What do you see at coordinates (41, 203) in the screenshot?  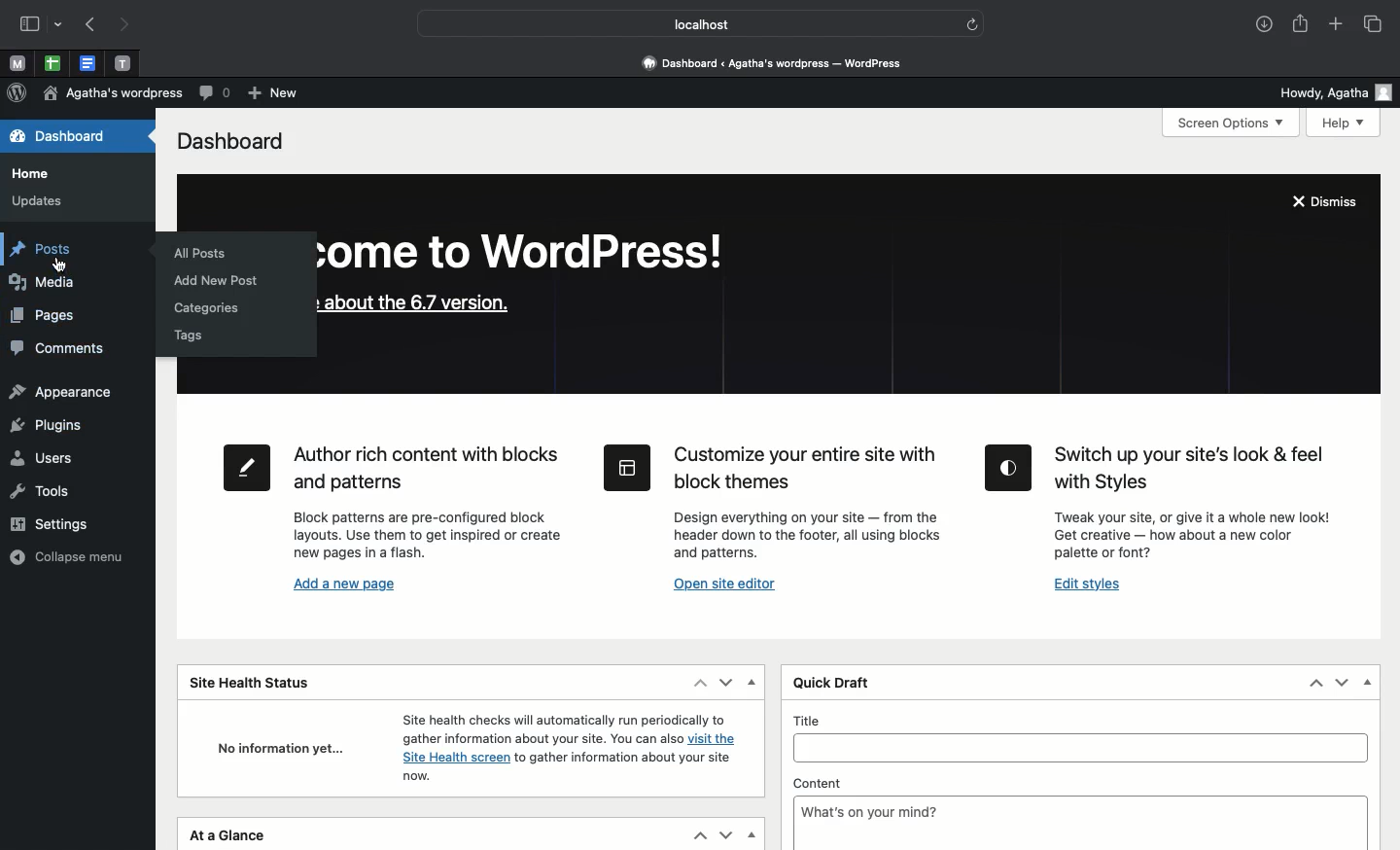 I see `Updates` at bounding box center [41, 203].